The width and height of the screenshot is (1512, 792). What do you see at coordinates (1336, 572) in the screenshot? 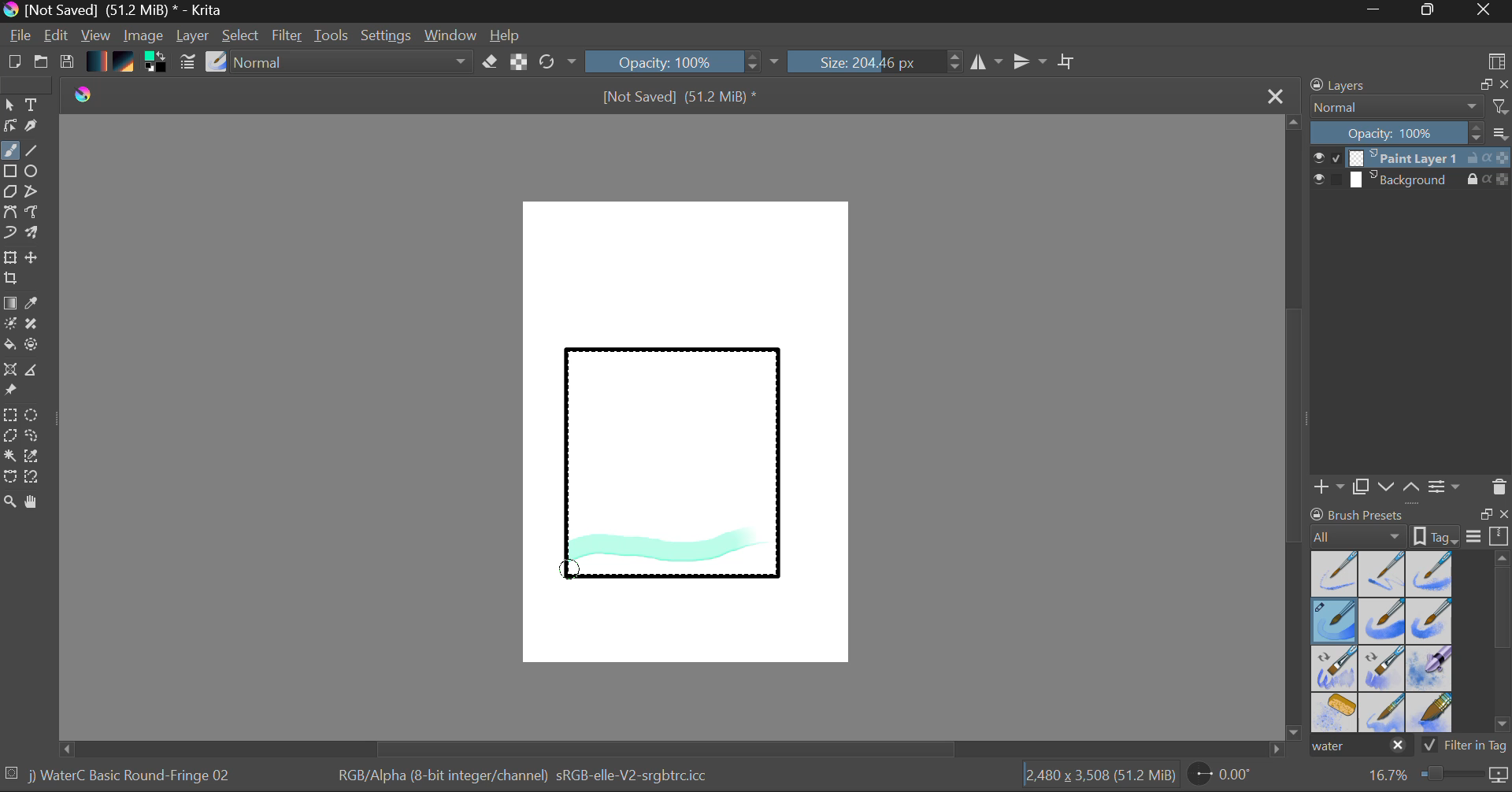
I see `Water C - Dry` at bounding box center [1336, 572].